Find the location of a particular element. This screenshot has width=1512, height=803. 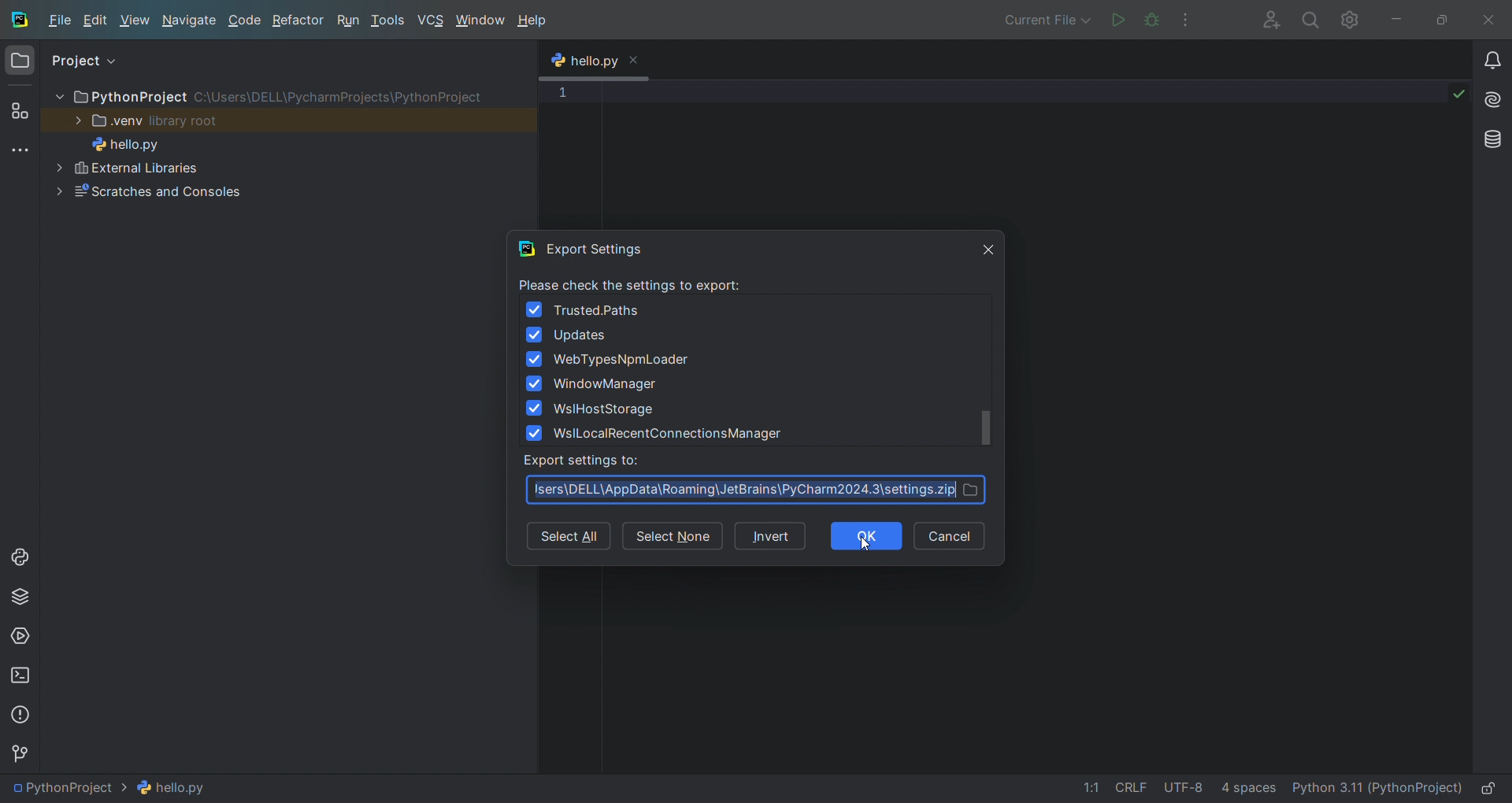

close is located at coordinates (1488, 19).